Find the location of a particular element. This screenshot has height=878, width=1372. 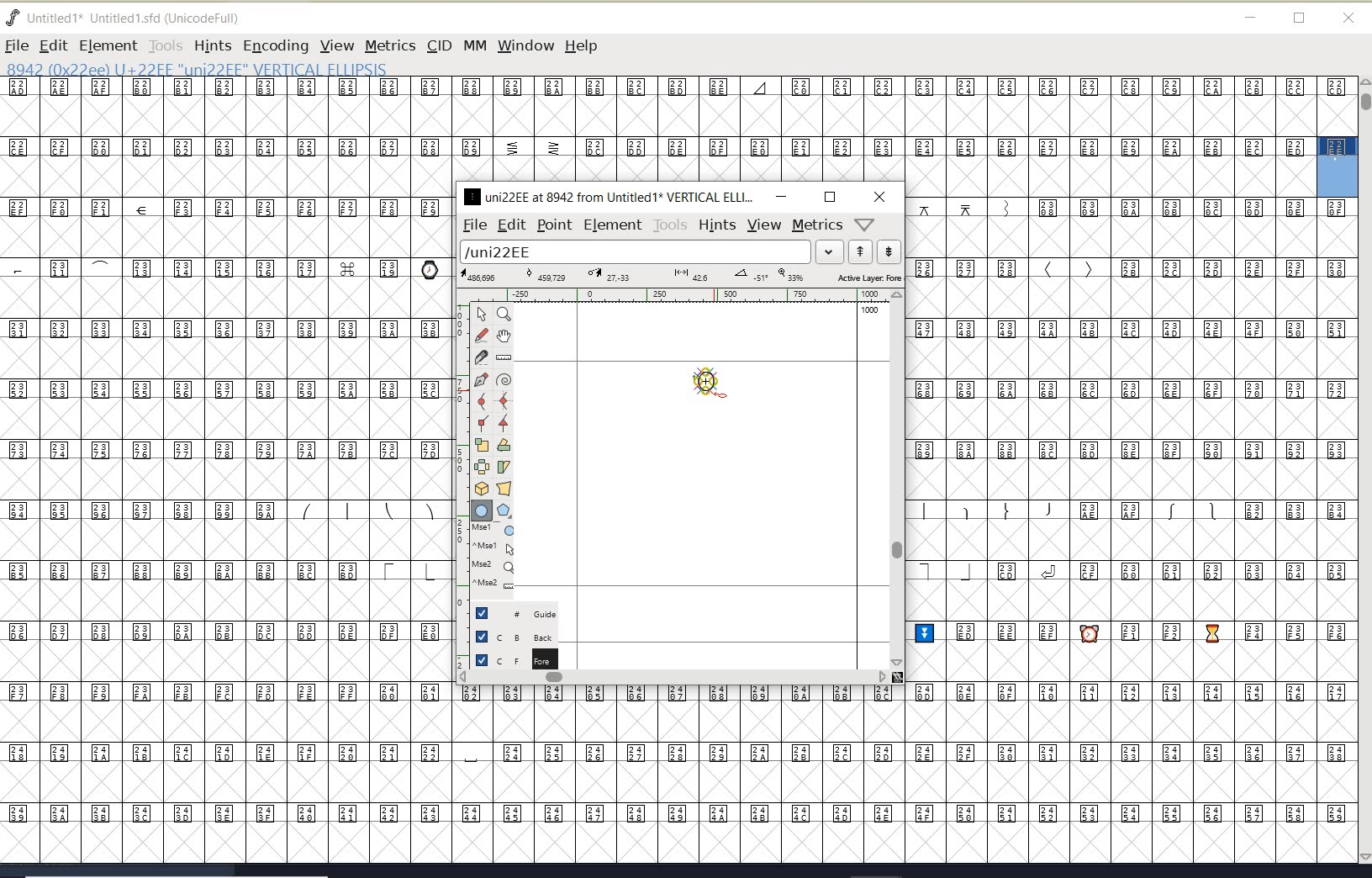

mm is located at coordinates (473, 43).